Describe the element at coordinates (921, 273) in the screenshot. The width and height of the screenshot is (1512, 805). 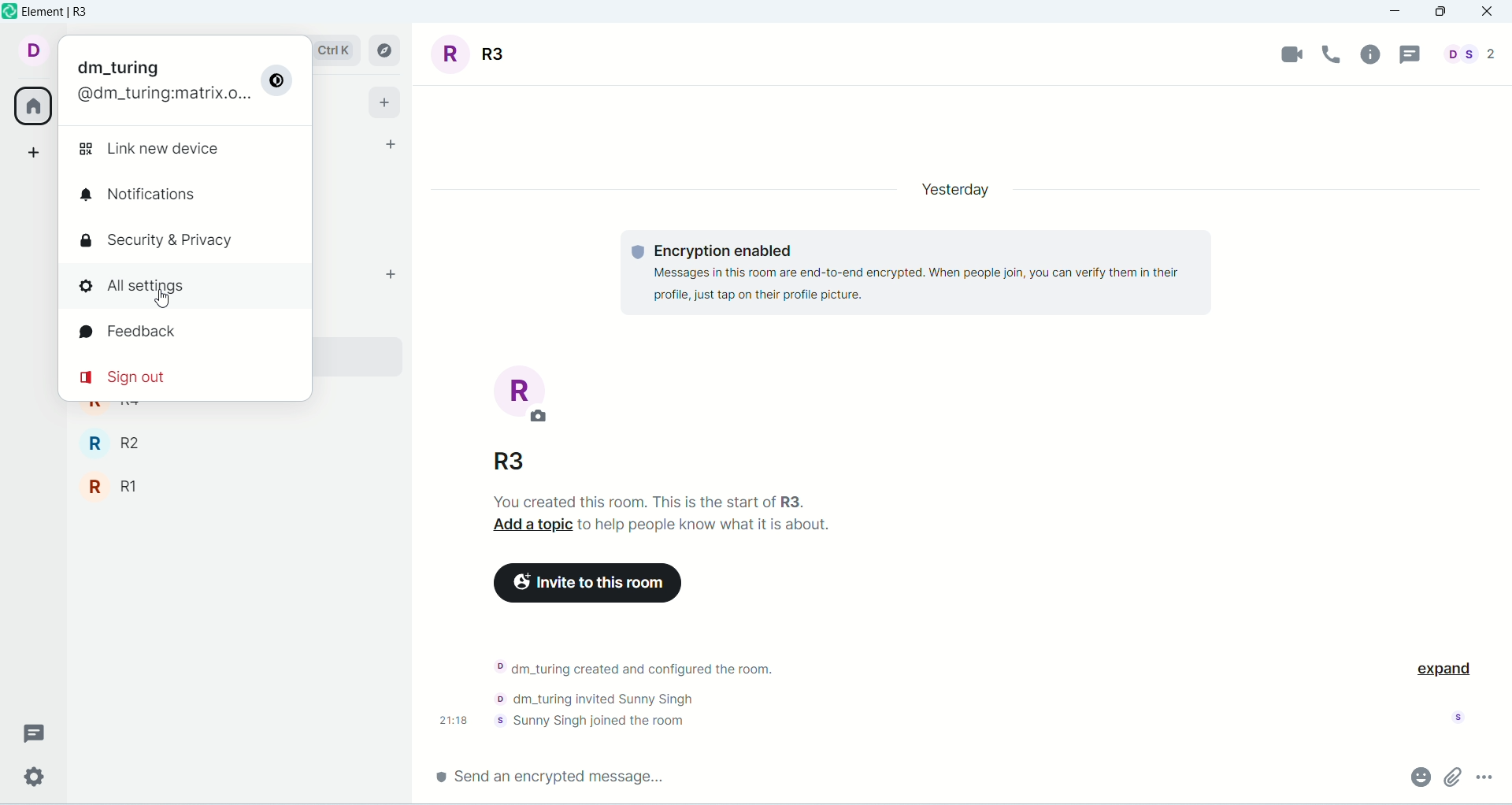
I see `text` at that location.